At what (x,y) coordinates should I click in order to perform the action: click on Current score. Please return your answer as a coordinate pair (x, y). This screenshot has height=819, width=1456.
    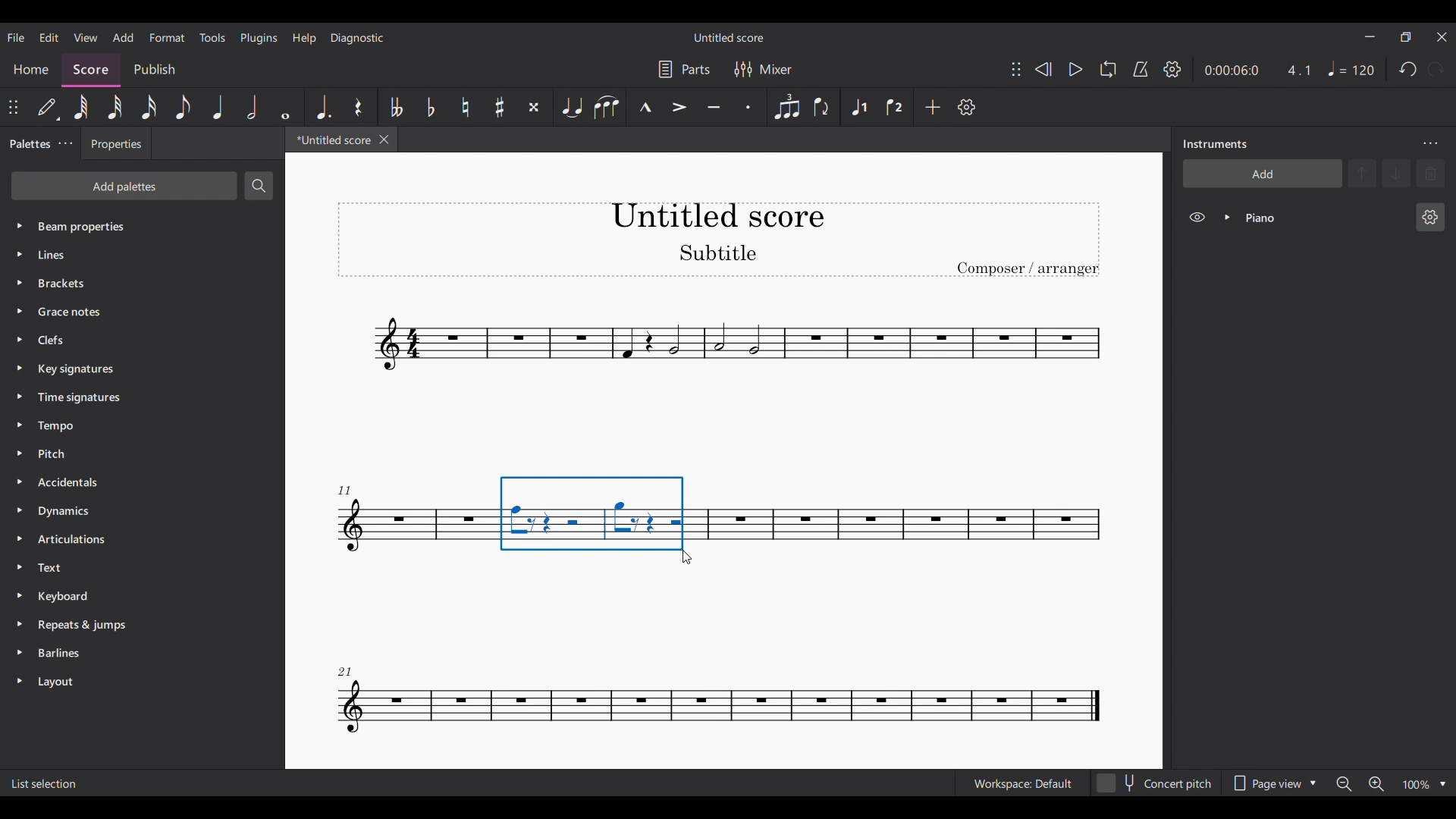
    Looking at the image, I should click on (329, 143).